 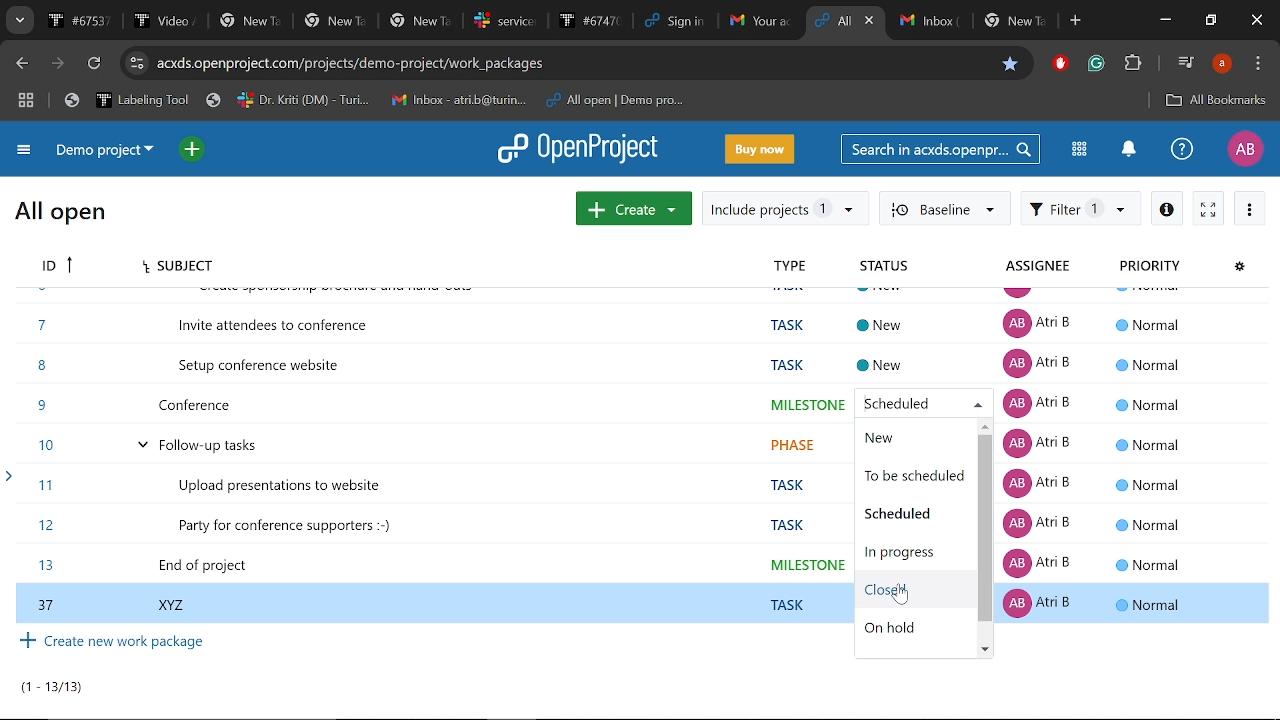 I want to click on Minimize, so click(x=1162, y=18).